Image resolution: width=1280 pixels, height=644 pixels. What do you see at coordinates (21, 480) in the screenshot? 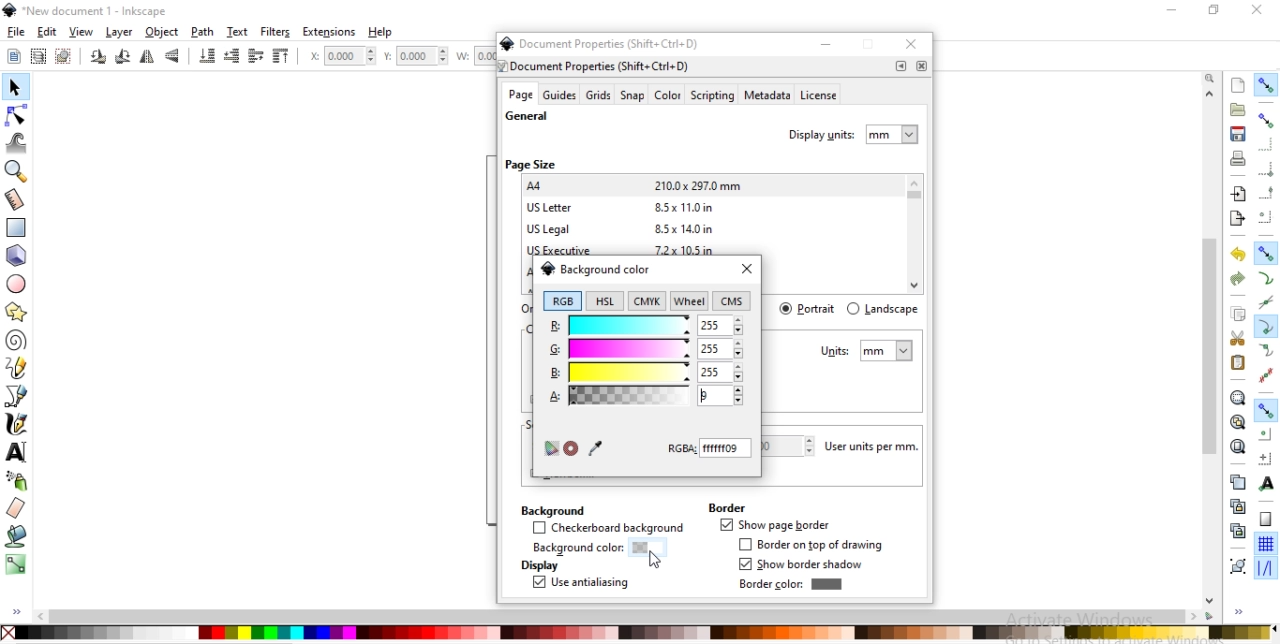
I see `spray objects by sculping or painting` at bounding box center [21, 480].